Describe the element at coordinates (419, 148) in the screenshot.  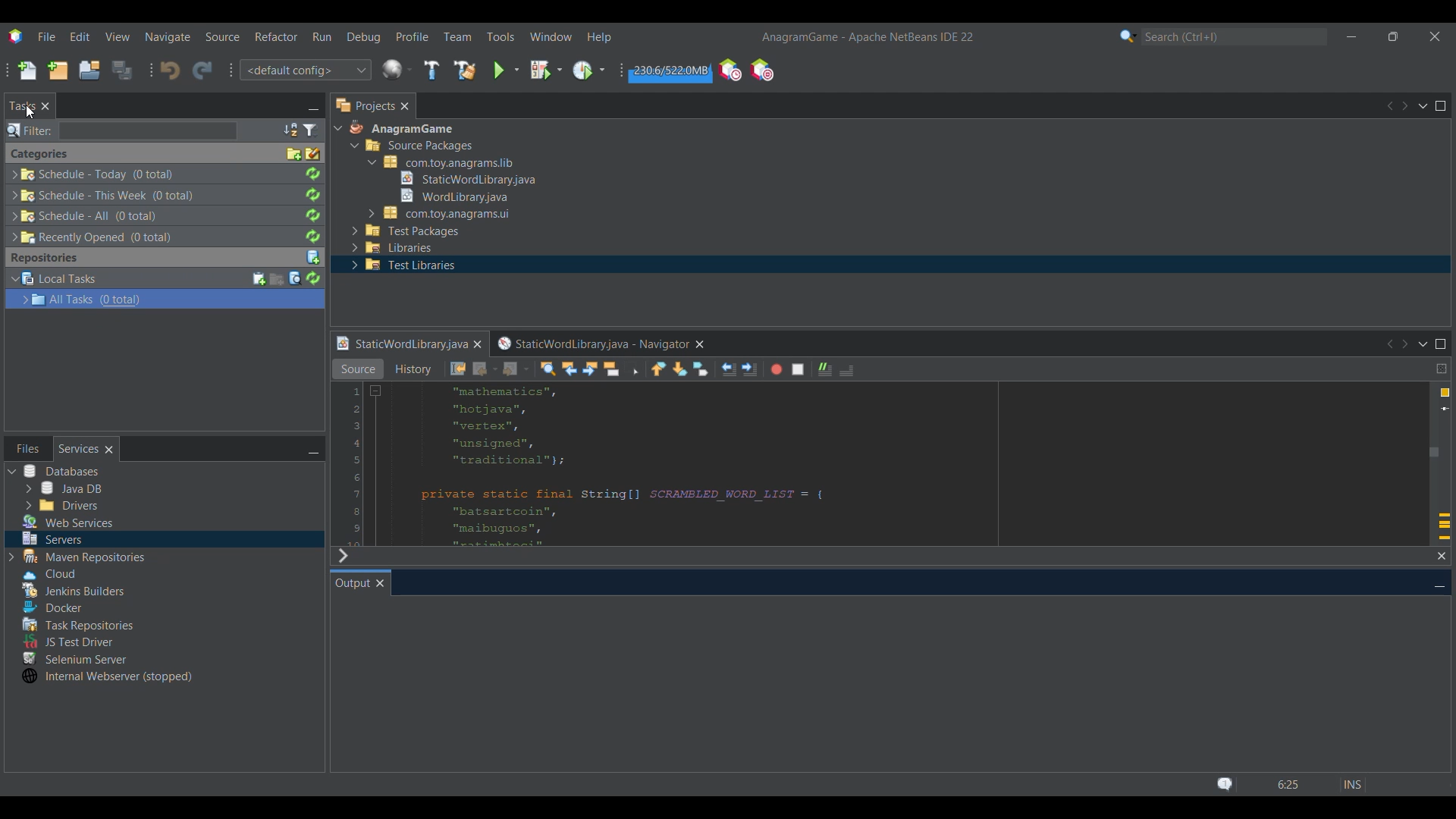
I see `` at that location.